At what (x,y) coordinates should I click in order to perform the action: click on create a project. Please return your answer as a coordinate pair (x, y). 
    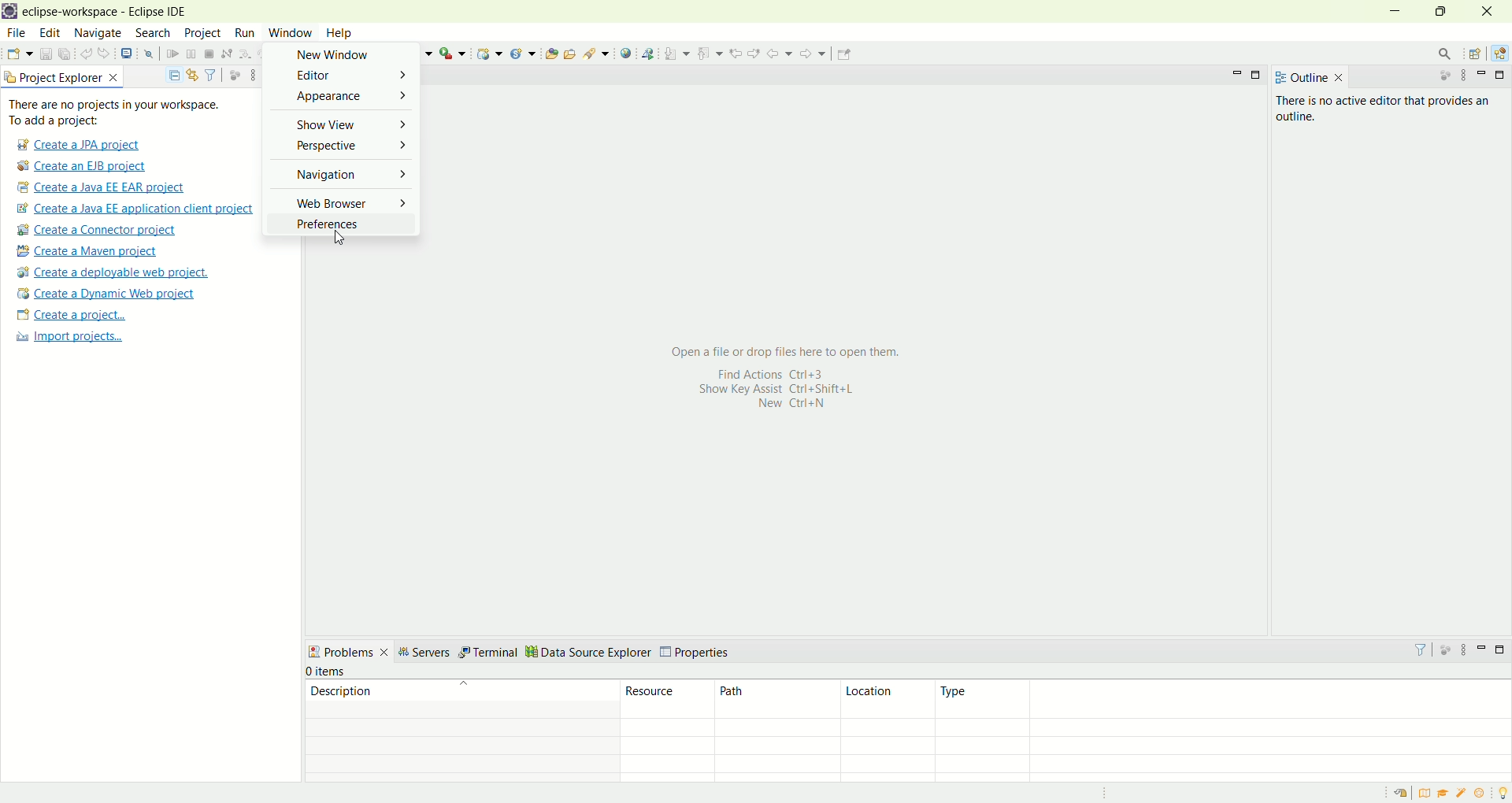
    Looking at the image, I should click on (72, 316).